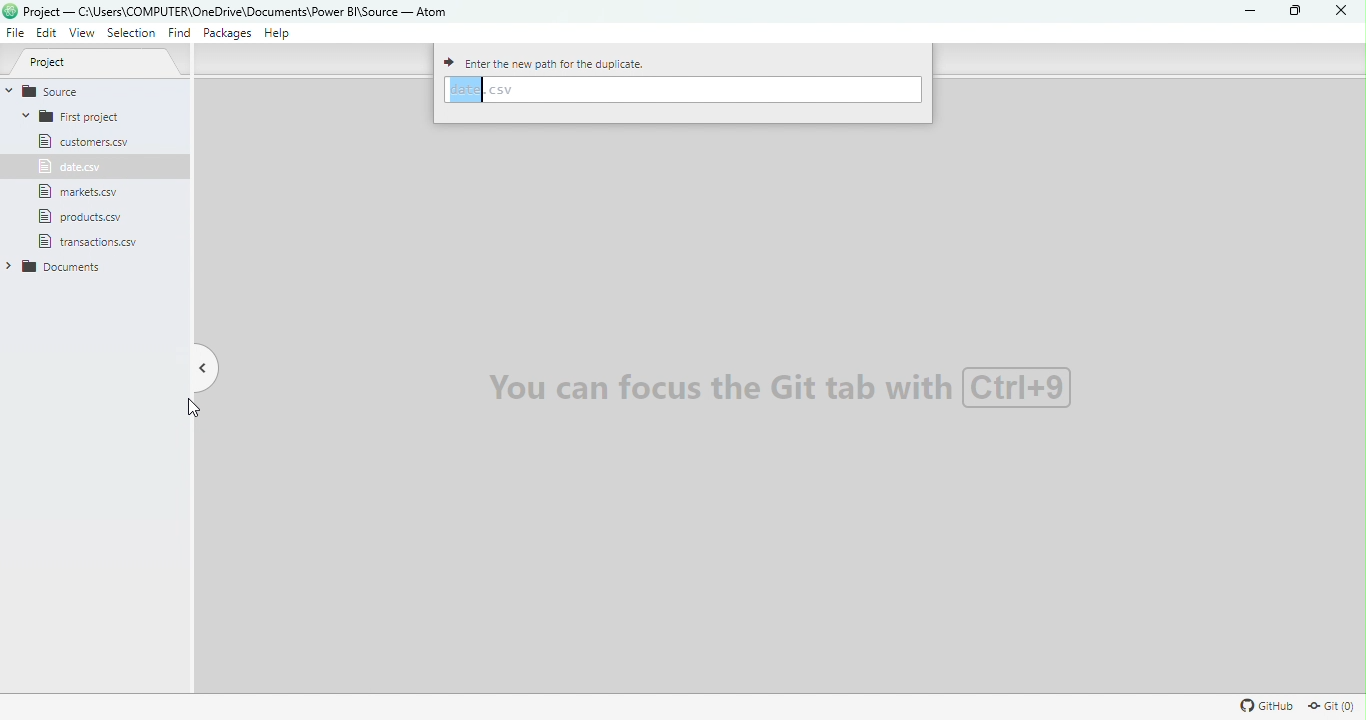 This screenshot has width=1366, height=720. I want to click on Edit, so click(47, 34).